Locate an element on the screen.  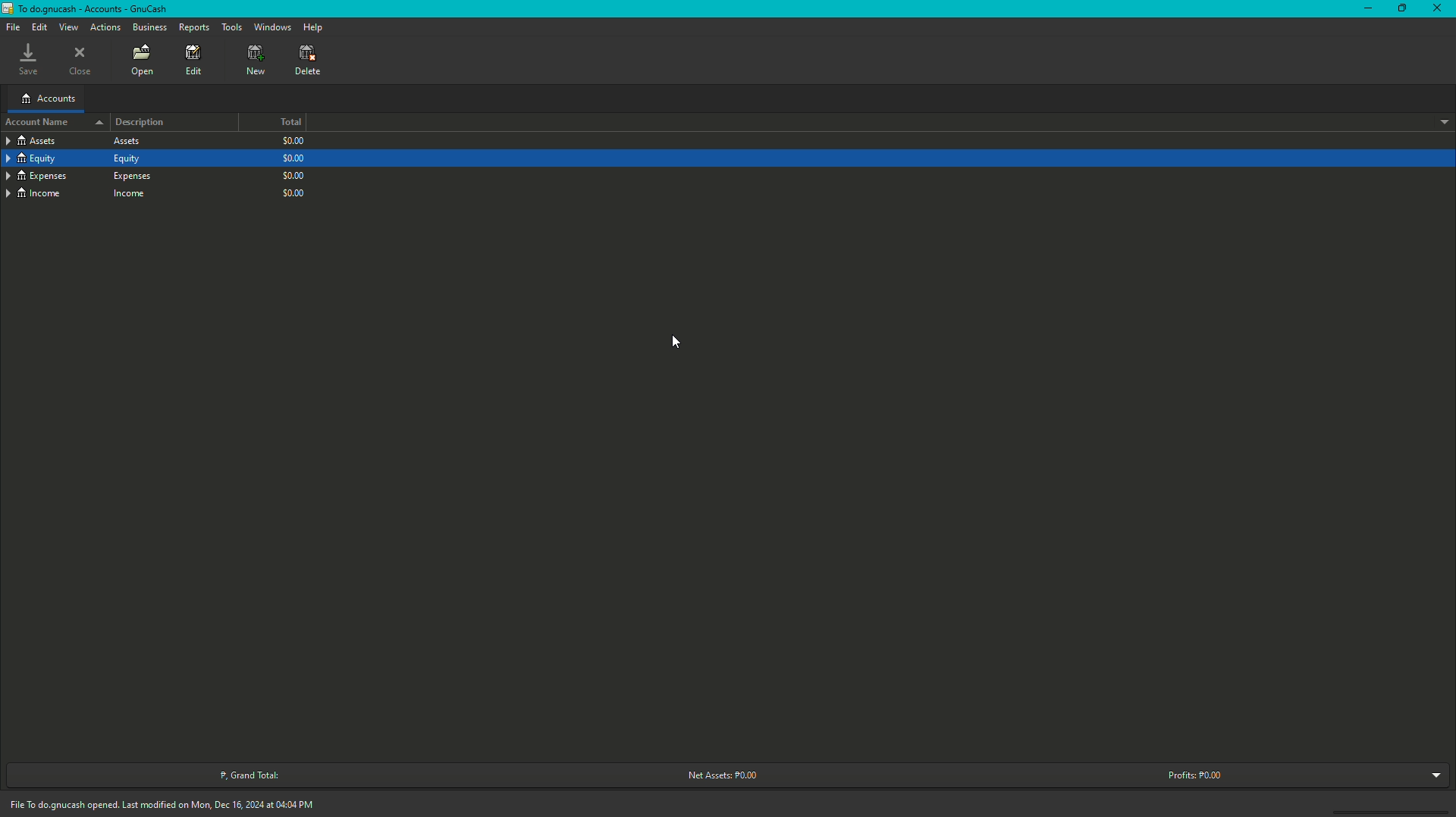
Save notification is located at coordinates (167, 803).